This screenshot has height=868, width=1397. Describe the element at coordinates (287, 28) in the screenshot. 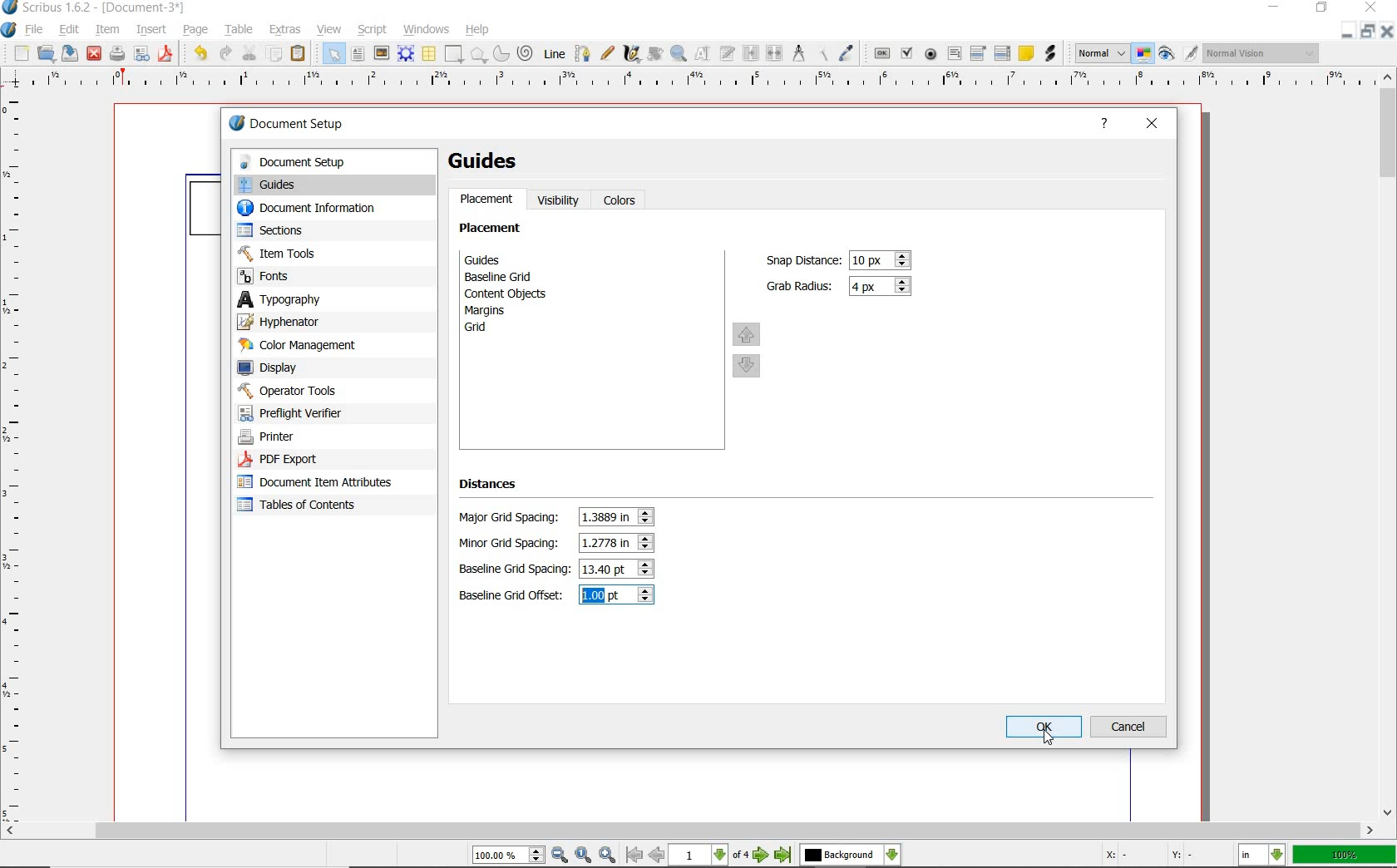

I see `extras` at that location.